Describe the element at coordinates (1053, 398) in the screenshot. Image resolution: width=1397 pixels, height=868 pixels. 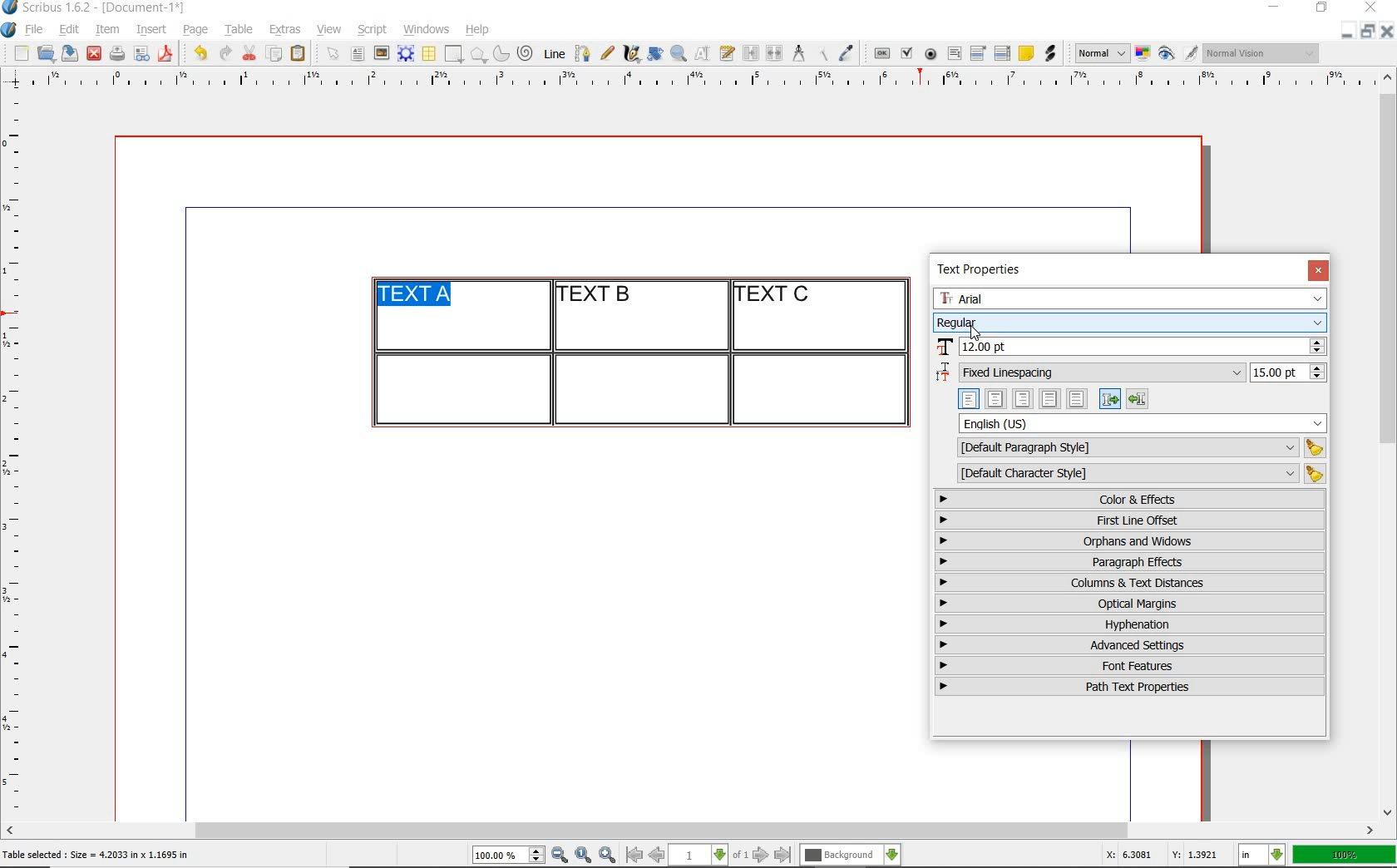
I see `text alignment` at that location.